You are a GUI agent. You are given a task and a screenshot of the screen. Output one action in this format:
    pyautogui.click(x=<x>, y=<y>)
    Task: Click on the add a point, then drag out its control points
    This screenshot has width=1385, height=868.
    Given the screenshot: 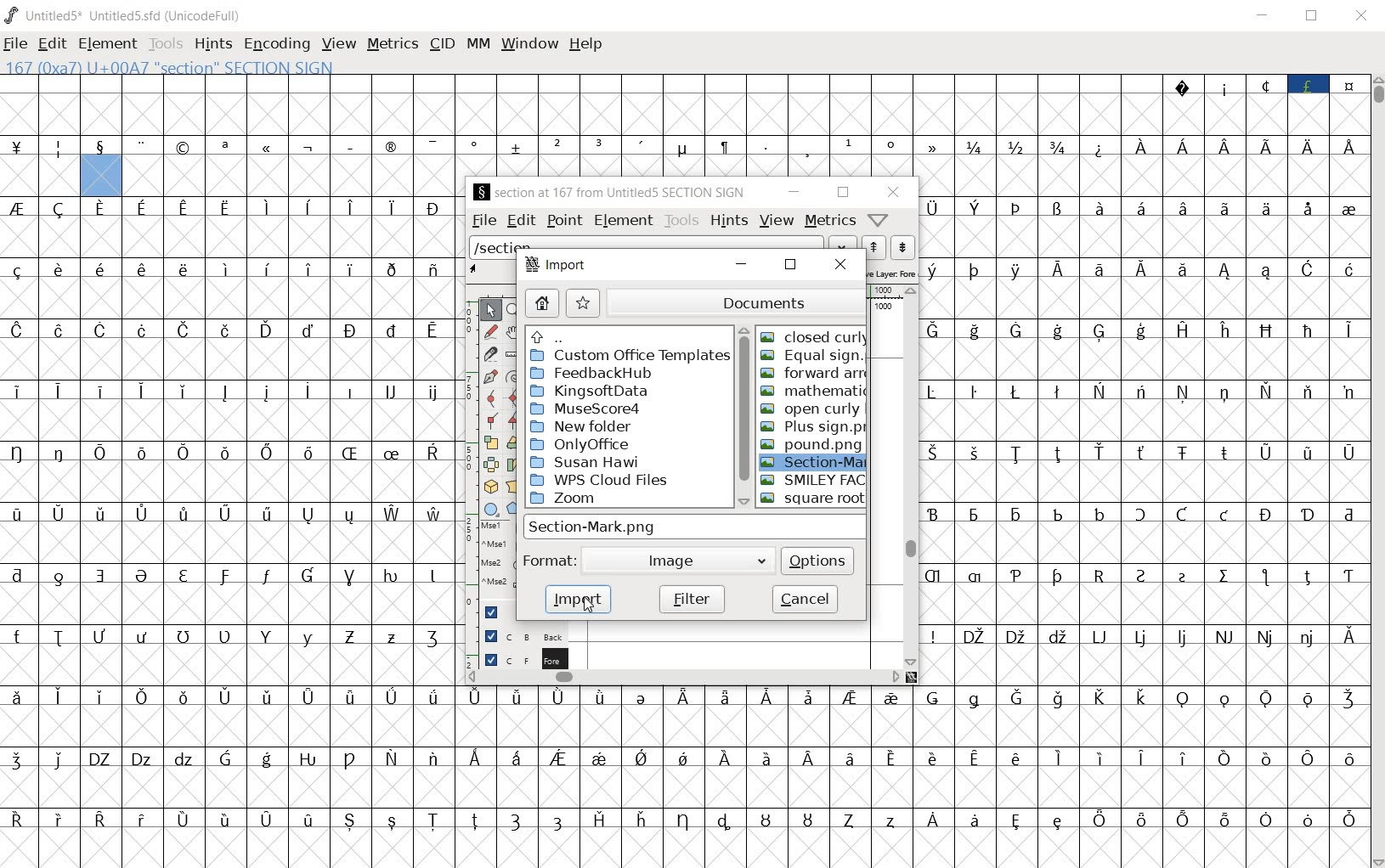 What is the action you would take?
    pyautogui.click(x=489, y=375)
    